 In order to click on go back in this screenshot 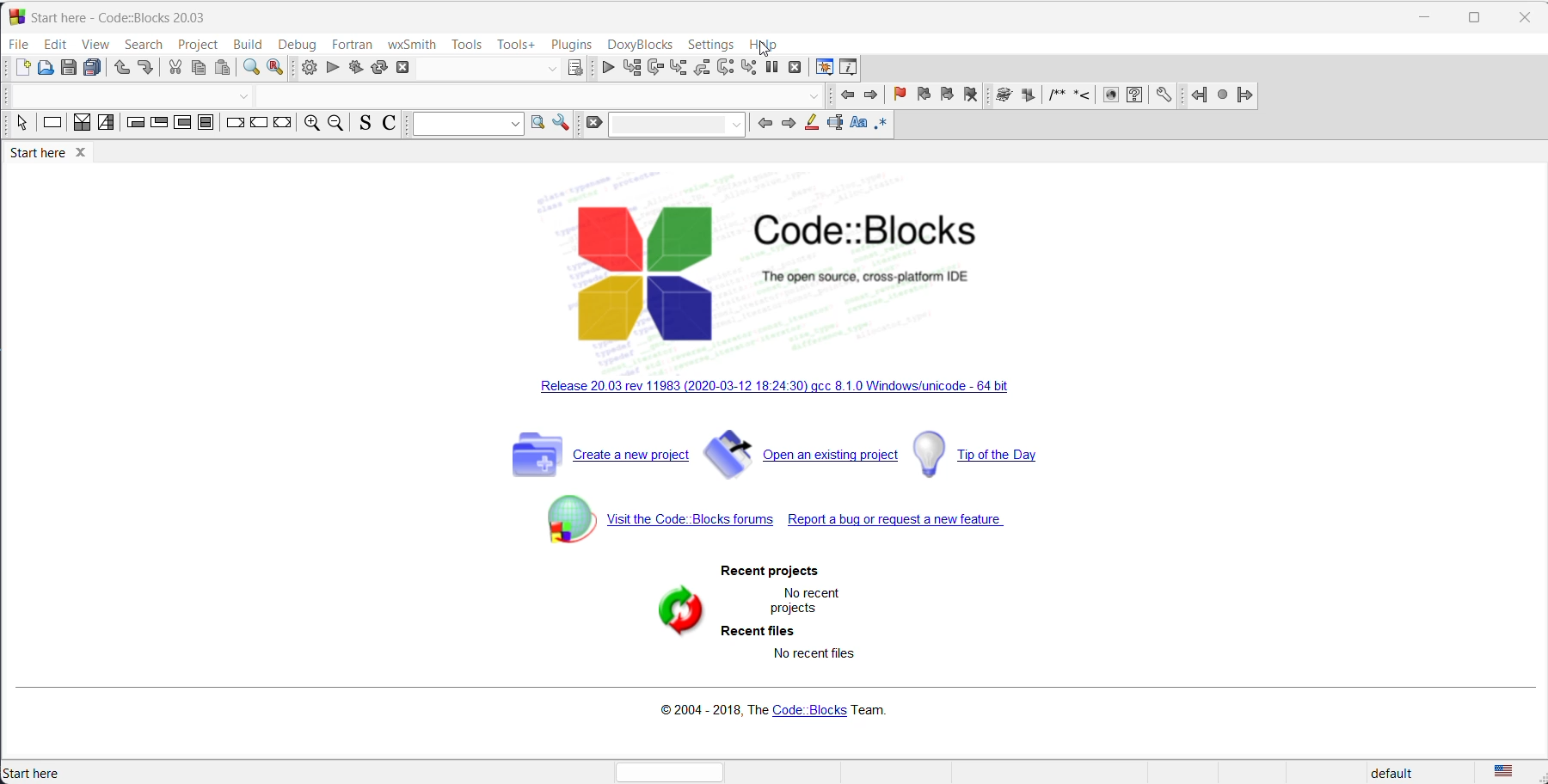, I will do `click(786, 125)`.